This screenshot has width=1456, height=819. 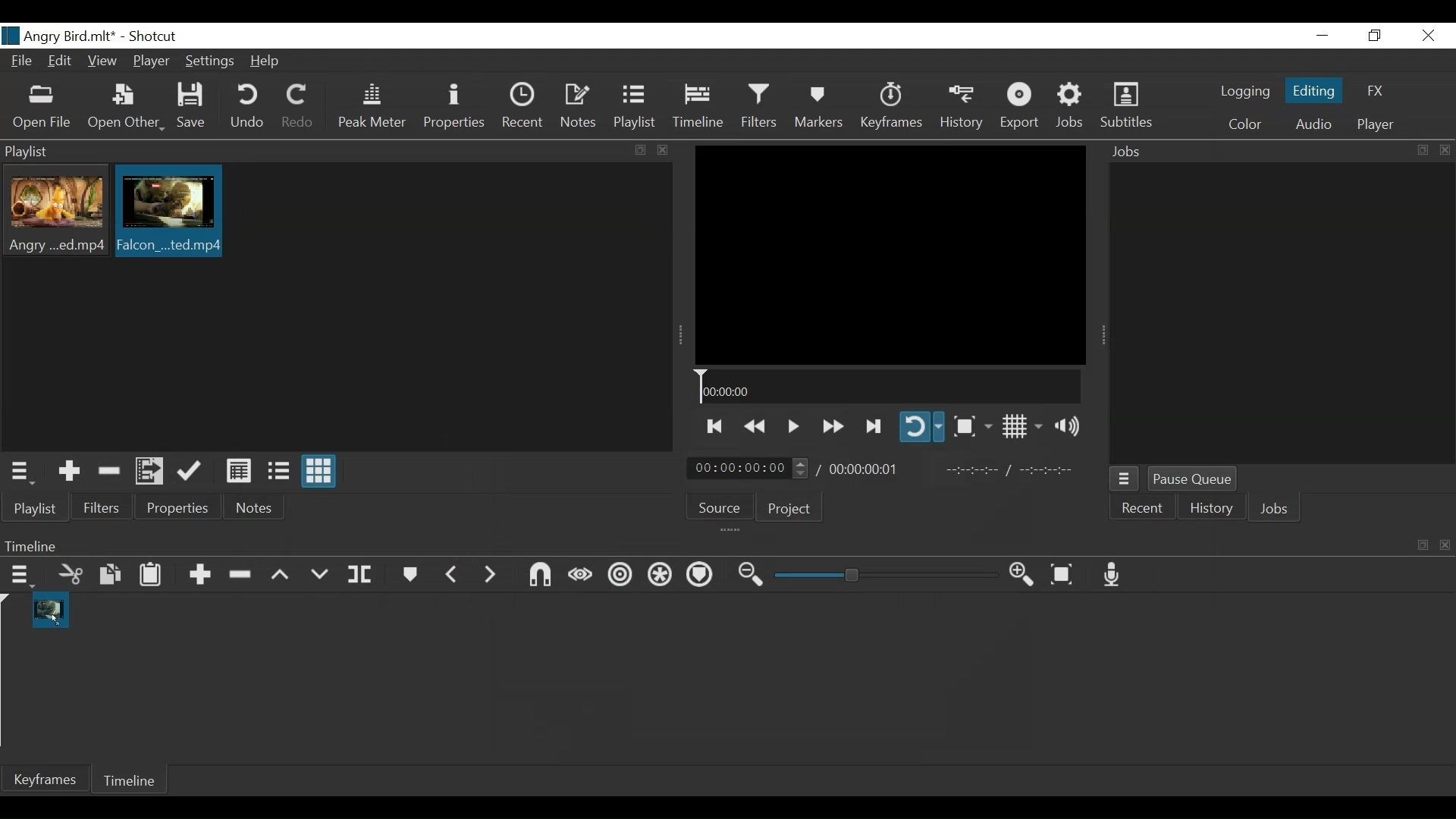 I want to click on Add files to the playlist, so click(x=152, y=469).